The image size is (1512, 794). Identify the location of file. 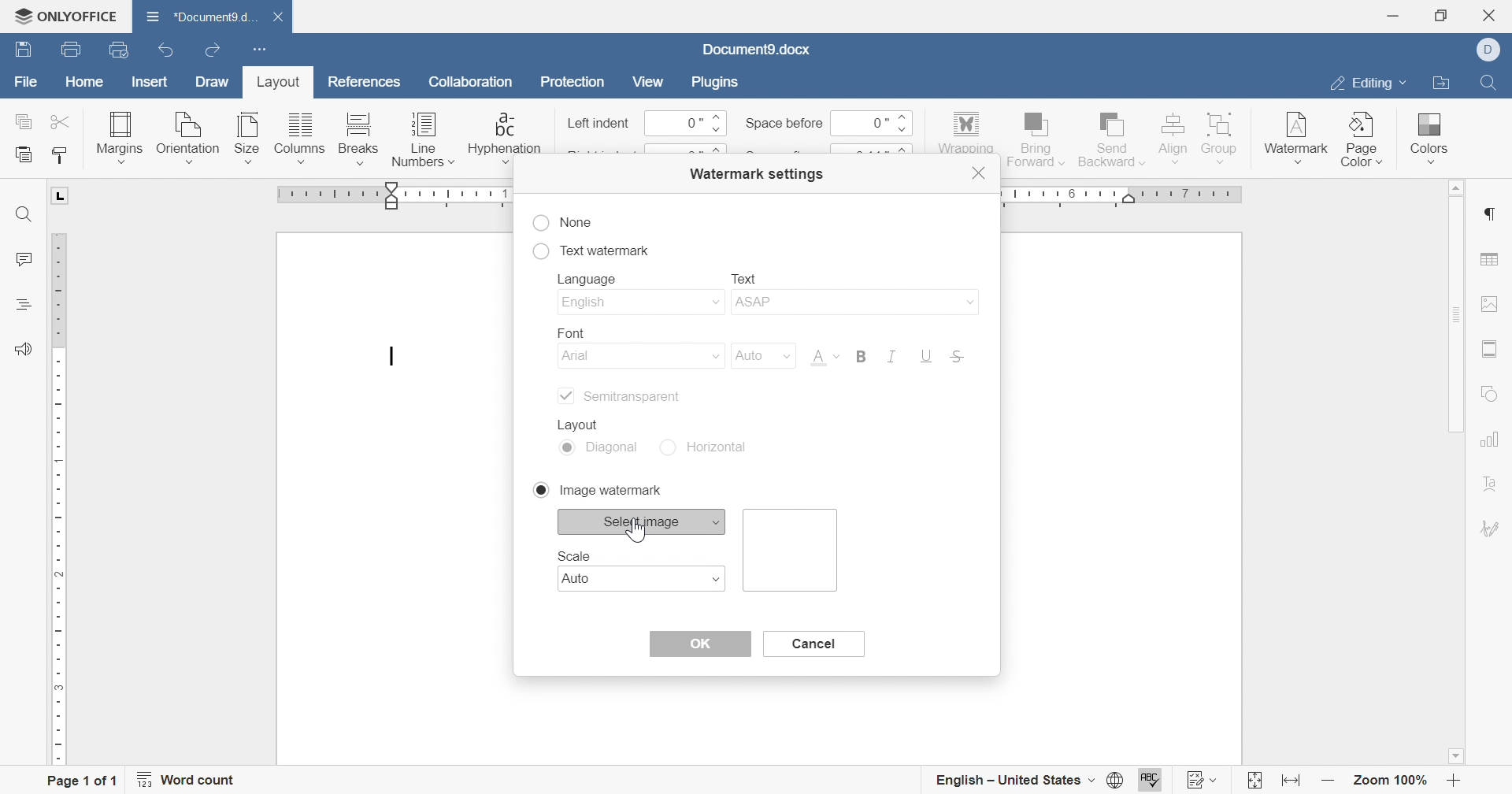
(27, 86).